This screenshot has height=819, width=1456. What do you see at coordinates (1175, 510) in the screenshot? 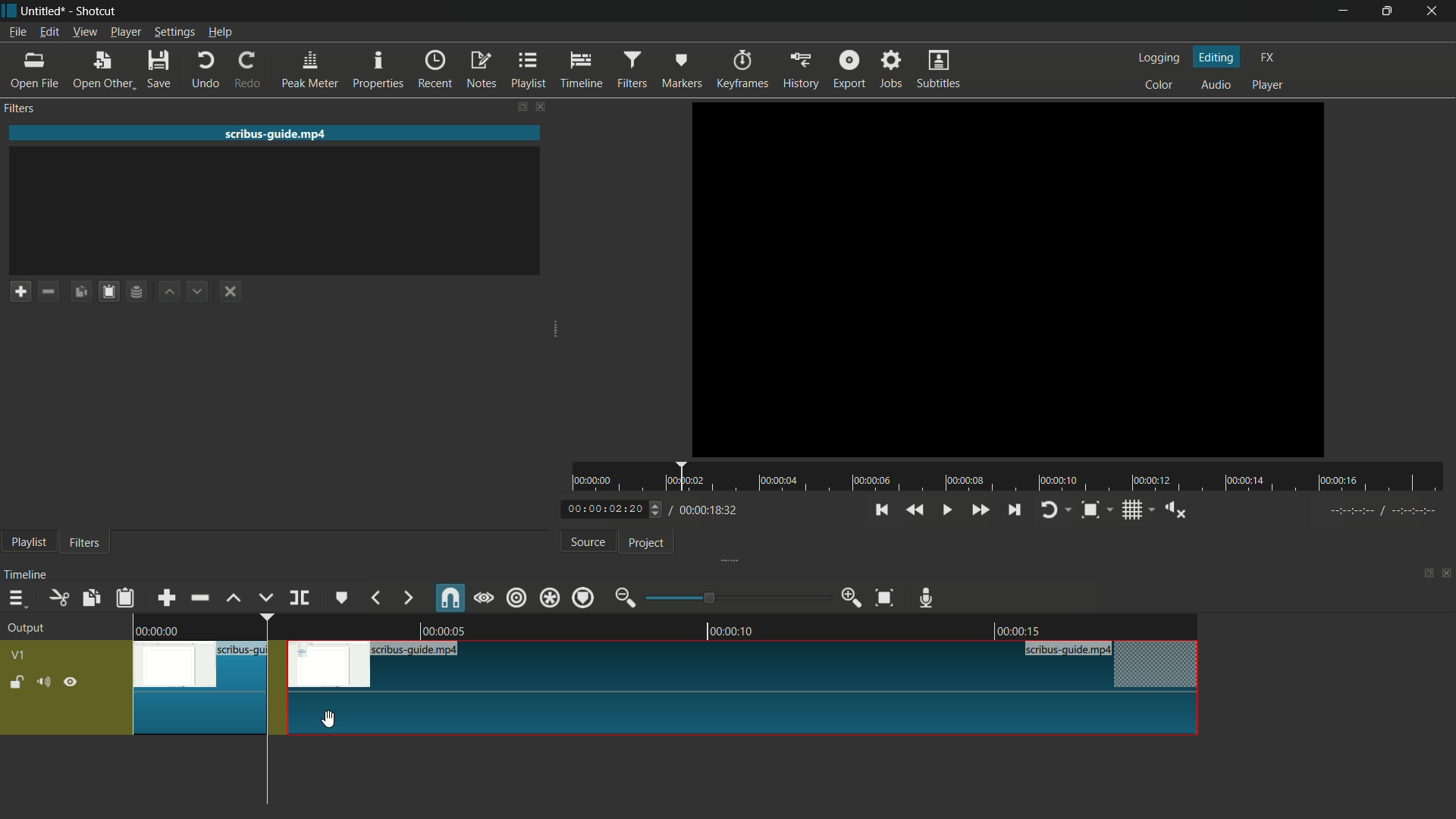
I see `show volume control` at bounding box center [1175, 510].